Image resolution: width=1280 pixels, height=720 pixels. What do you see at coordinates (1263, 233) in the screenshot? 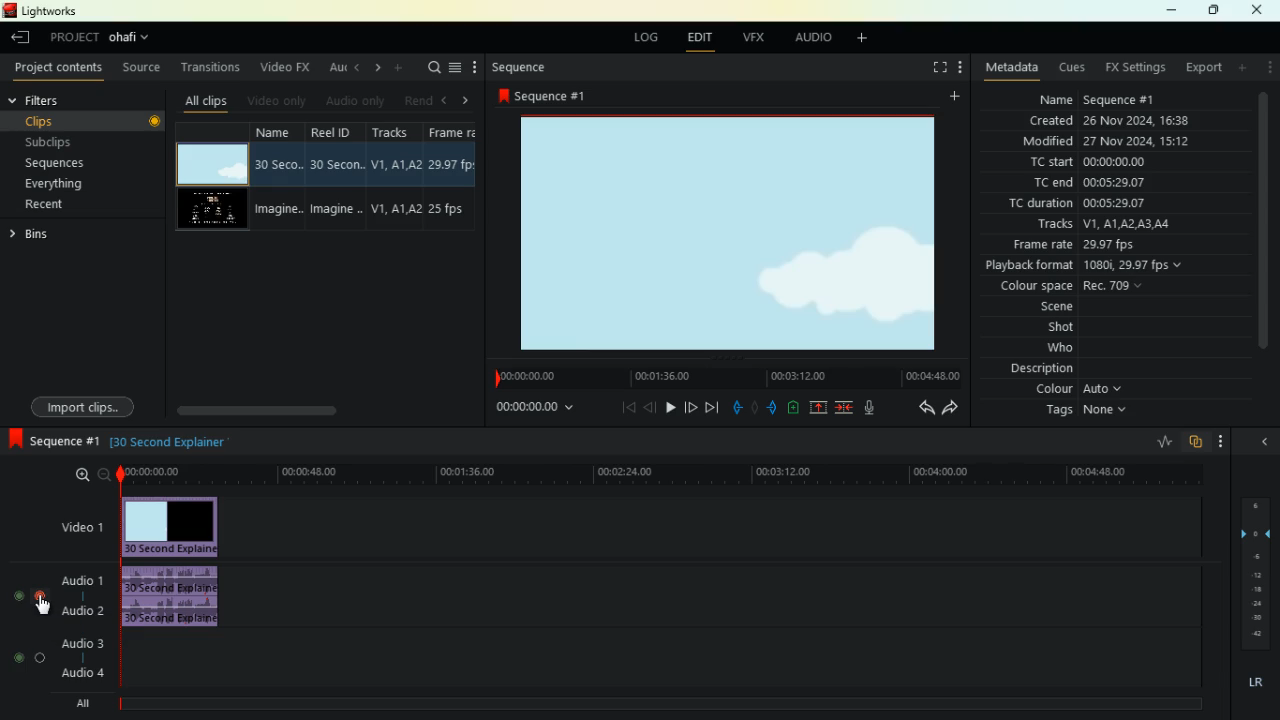
I see `vertical scroll bar` at bounding box center [1263, 233].